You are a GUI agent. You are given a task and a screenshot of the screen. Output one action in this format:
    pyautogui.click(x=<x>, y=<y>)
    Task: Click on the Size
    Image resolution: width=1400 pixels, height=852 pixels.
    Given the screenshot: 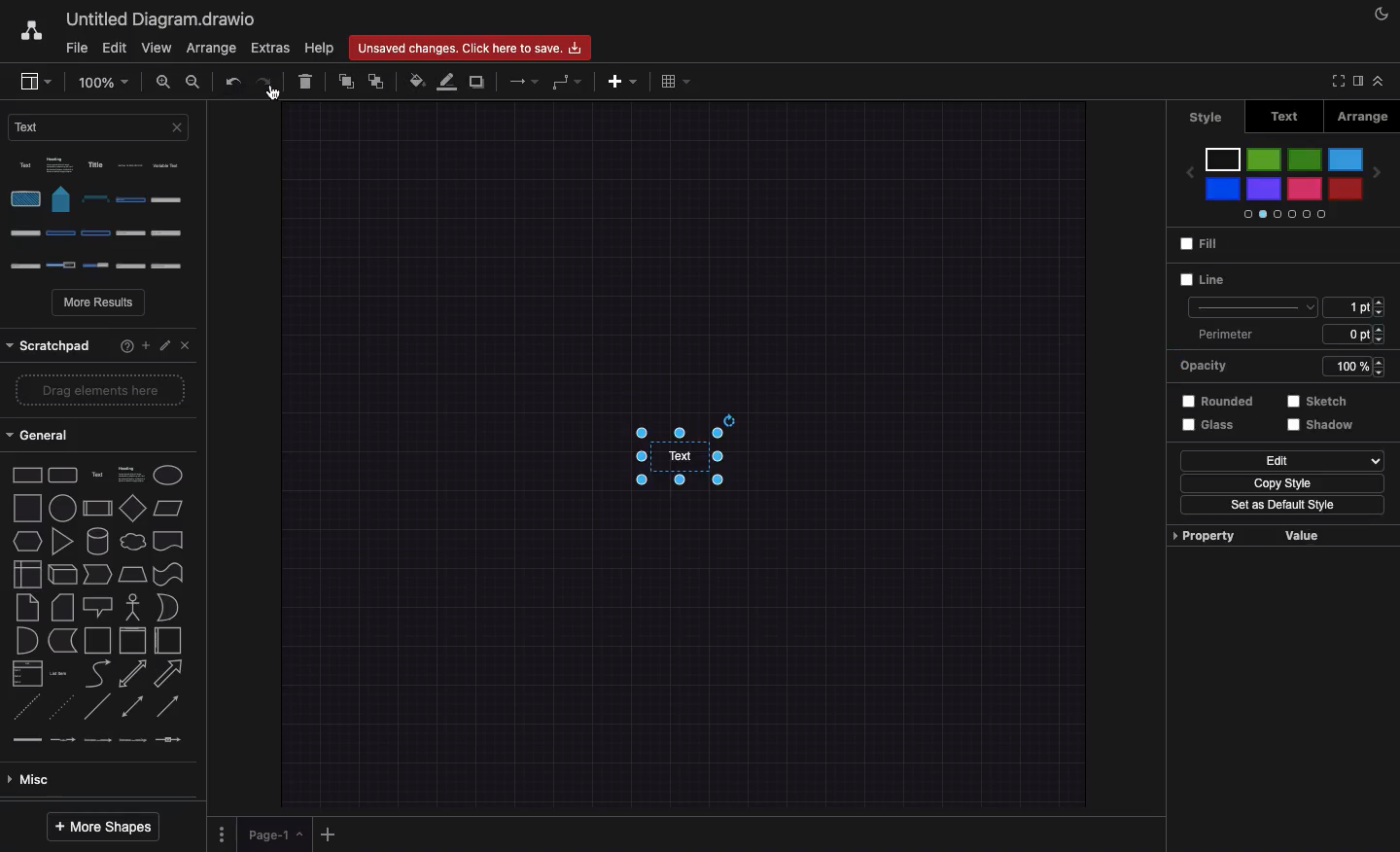 What is the action you would take?
    pyautogui.click(x=1353, y=306)
    